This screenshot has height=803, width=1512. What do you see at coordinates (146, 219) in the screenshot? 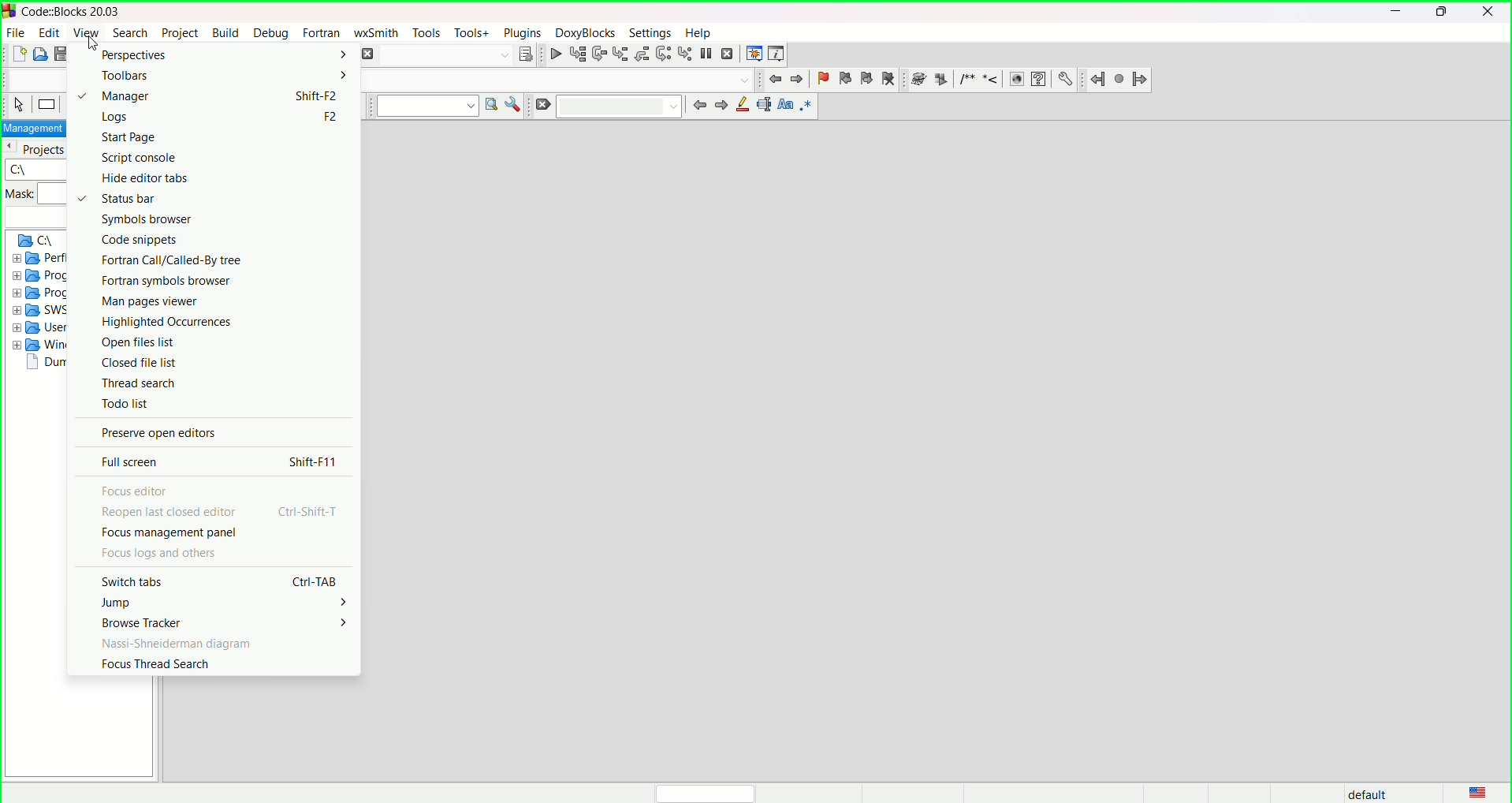
I see `symbols browser` at bounding box center [146, 219].